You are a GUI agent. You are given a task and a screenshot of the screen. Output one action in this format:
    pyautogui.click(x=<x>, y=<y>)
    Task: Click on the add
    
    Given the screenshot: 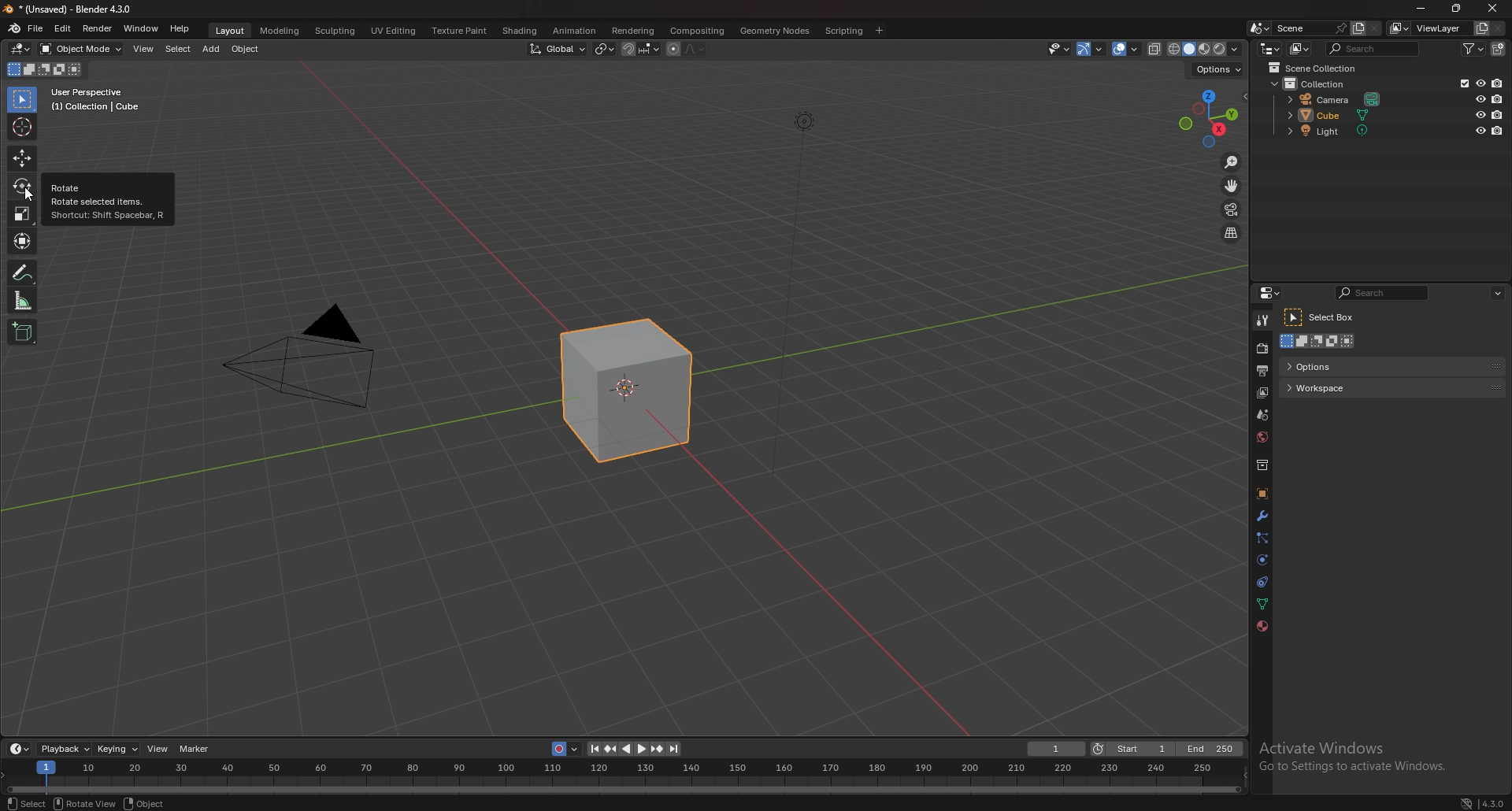 What is the action you would take?
    pyautogui.click(x=211, y=50)
    